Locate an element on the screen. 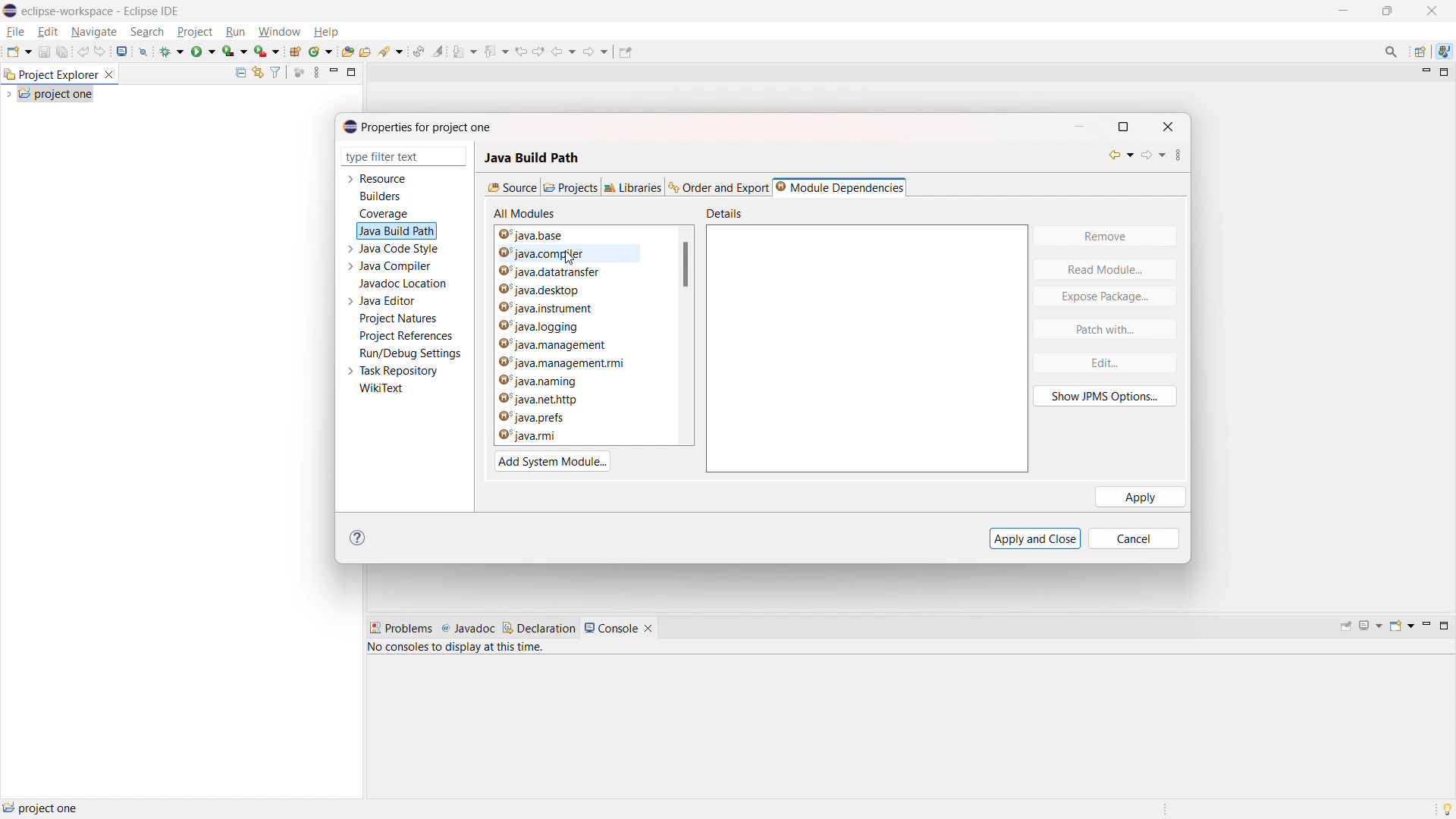  new java project is located at coordinates (294, 52).